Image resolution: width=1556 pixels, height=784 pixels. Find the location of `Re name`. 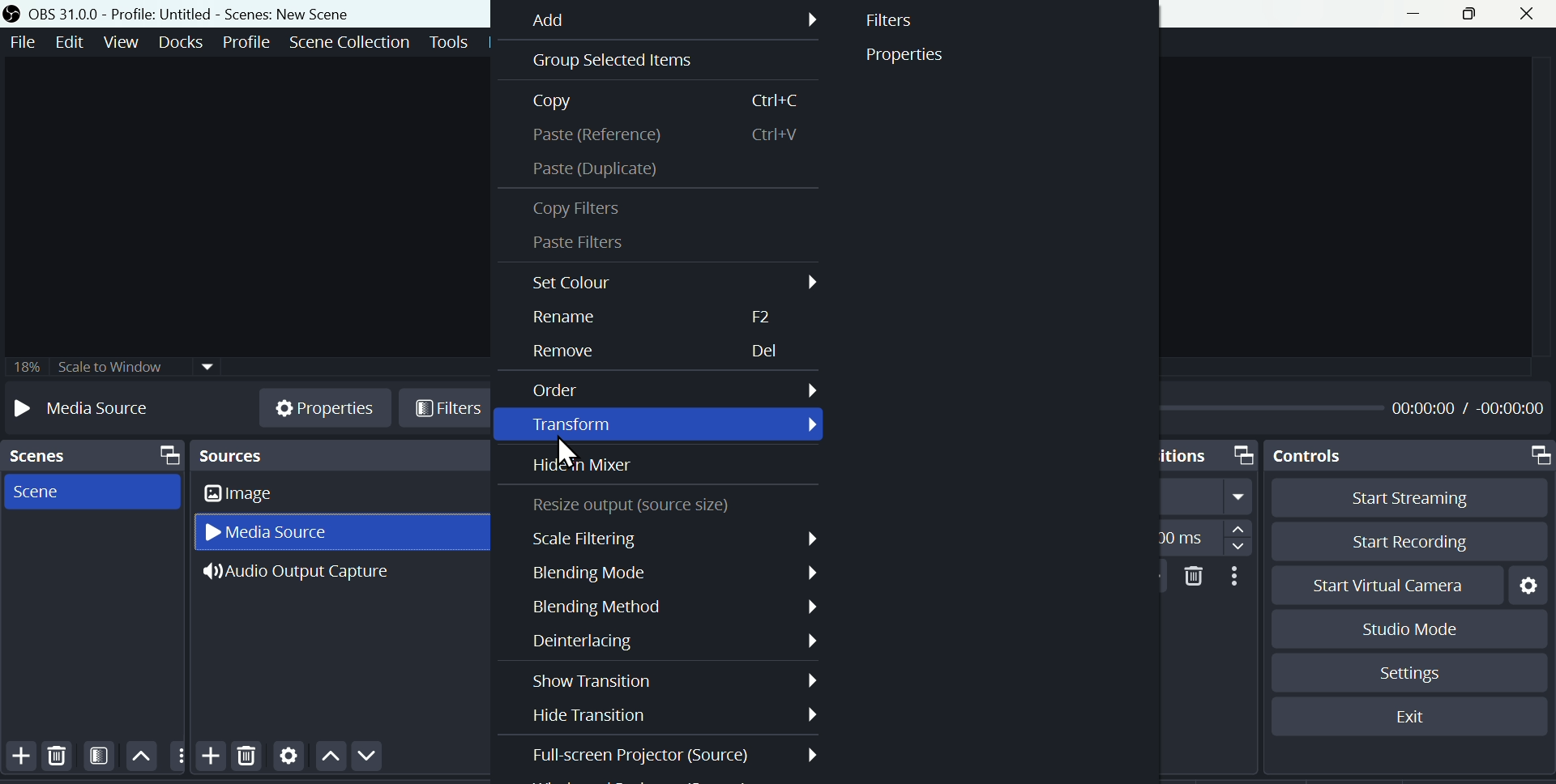

Re name is located at coordinates (656, 317).